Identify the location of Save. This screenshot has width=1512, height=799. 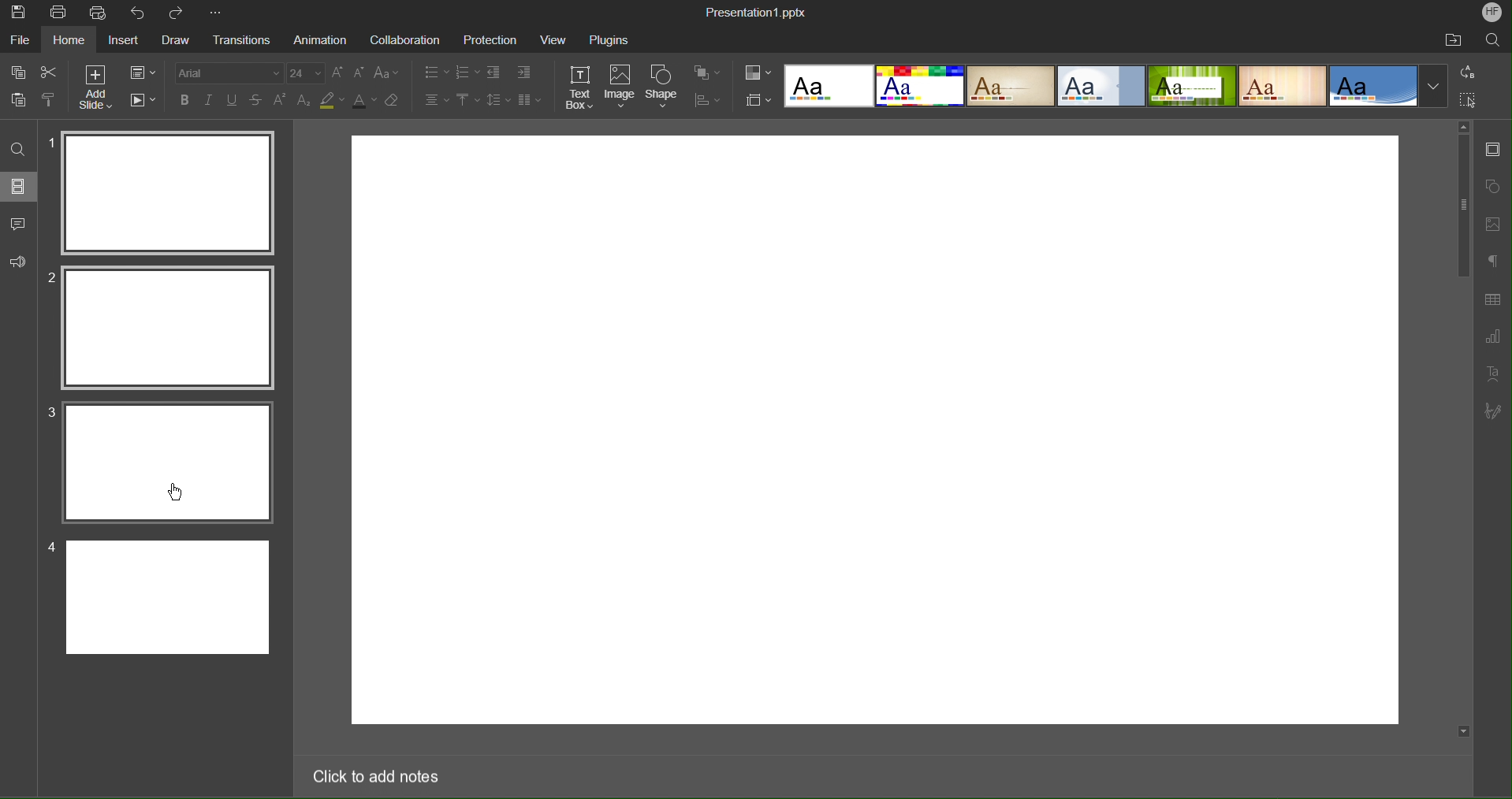
(17, 13).